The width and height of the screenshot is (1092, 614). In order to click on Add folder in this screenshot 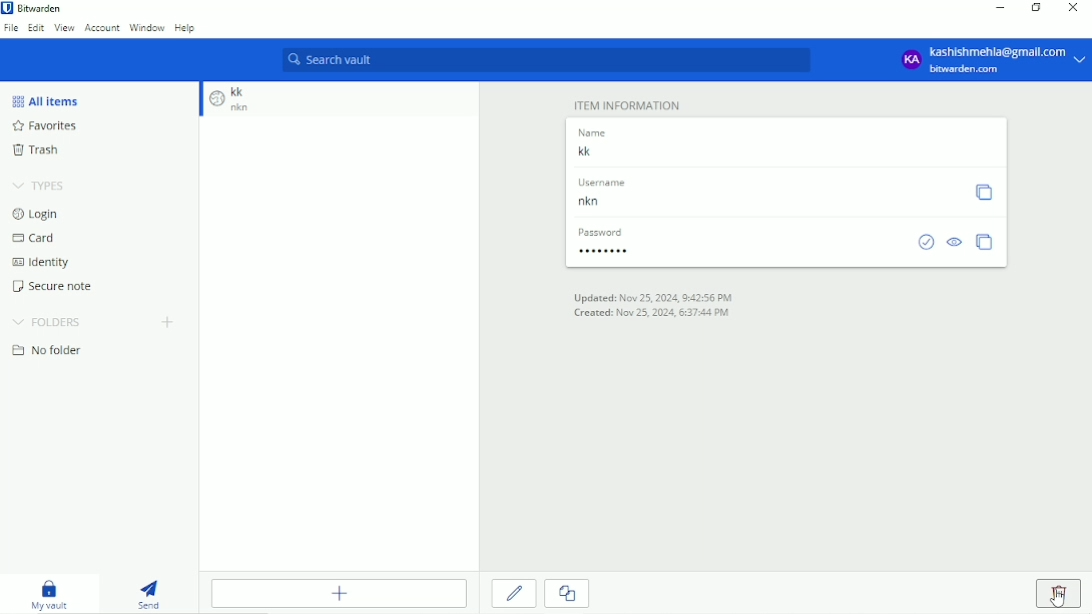, I will do `click(167, 322)`.